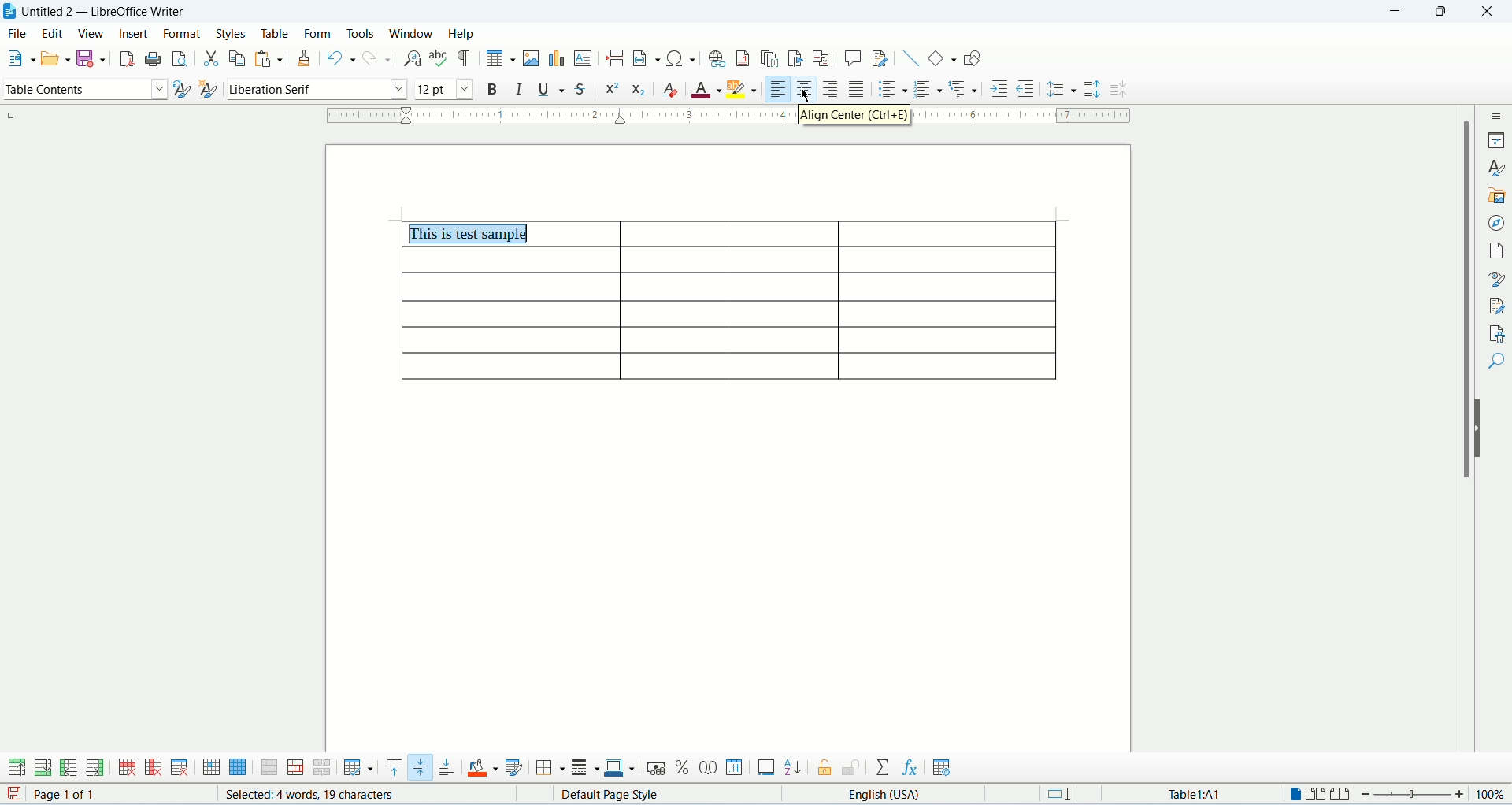 The width and height of the screenshot is (1512, 805). Describe the element at coordinates (780, 89) in the screenshot. I see `align left` at that location.